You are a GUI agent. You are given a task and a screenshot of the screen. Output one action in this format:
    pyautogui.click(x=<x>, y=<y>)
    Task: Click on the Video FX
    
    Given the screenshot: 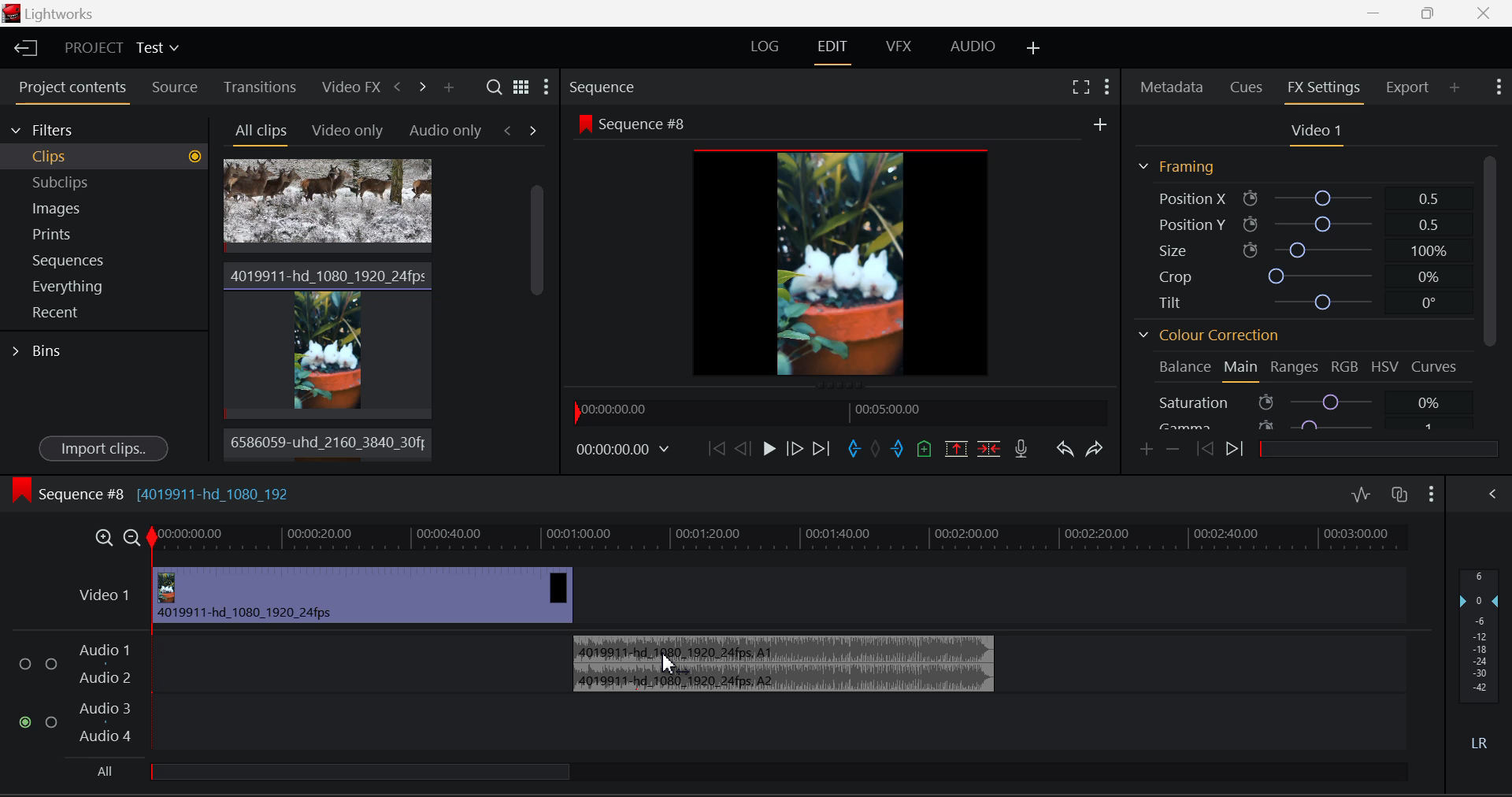 What is the action you would take?
    pyautogui.click(x=348, y=85)
    